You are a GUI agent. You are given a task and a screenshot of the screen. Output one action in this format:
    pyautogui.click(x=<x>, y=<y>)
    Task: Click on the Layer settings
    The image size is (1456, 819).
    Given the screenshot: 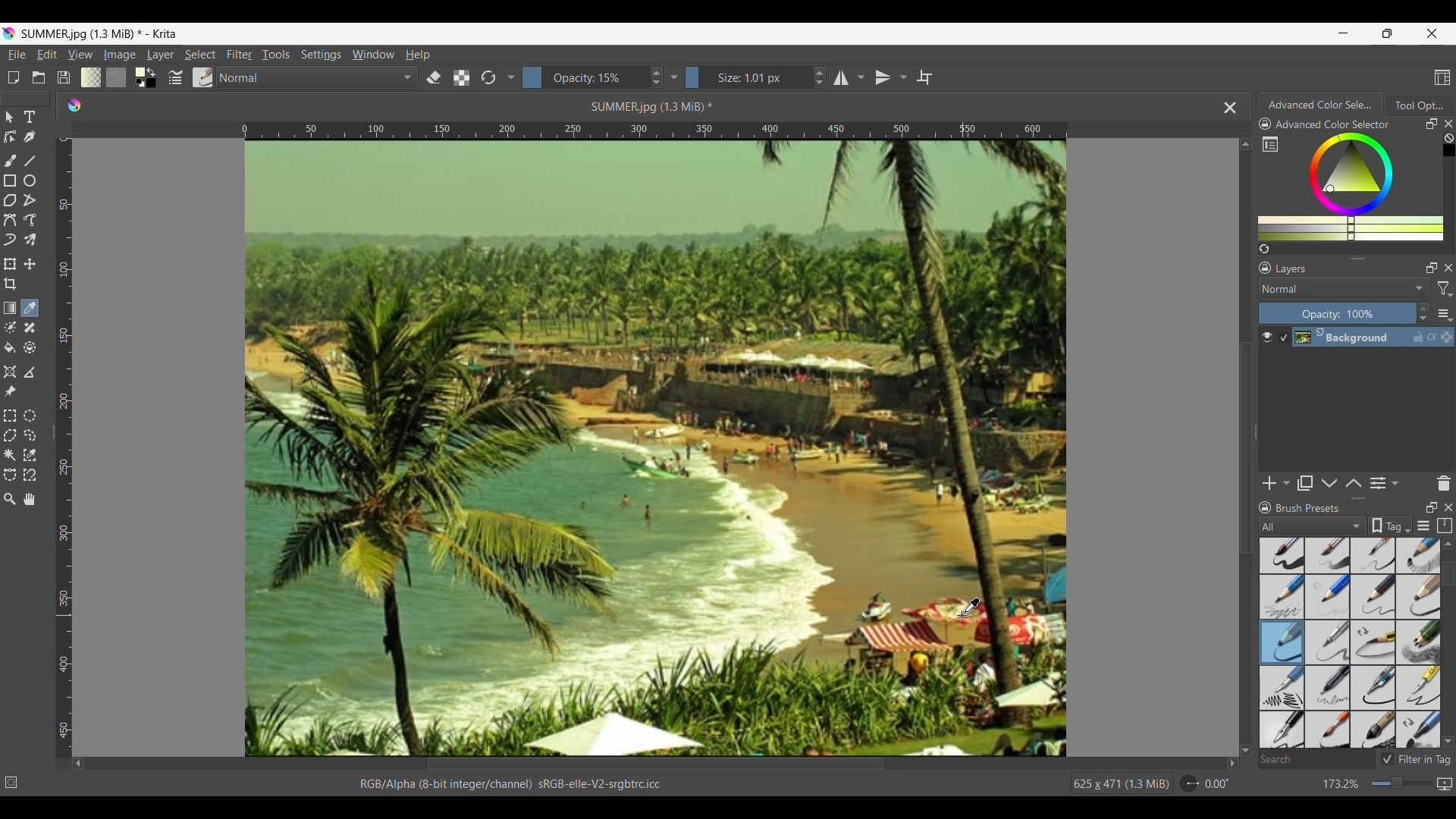 What is the action you would take?
    pyautogui.click(x=1444, y=314)
    